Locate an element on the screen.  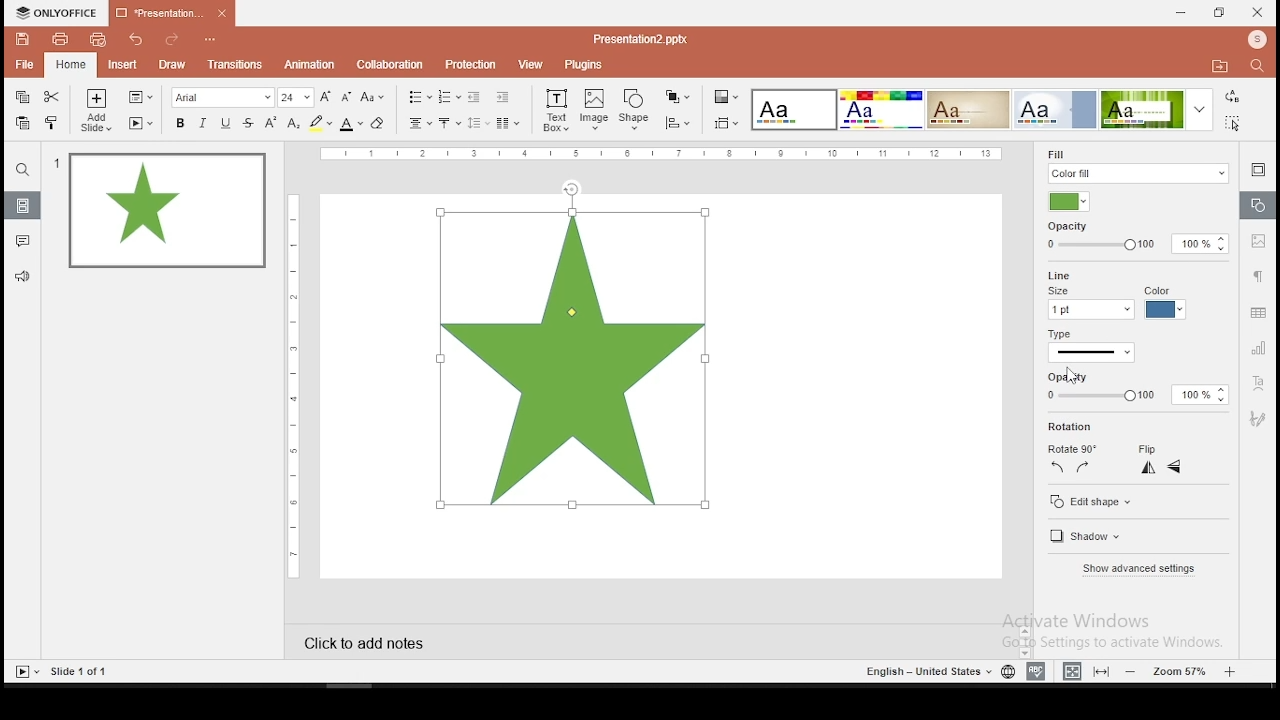
font color is located at coordinates (351, 124).